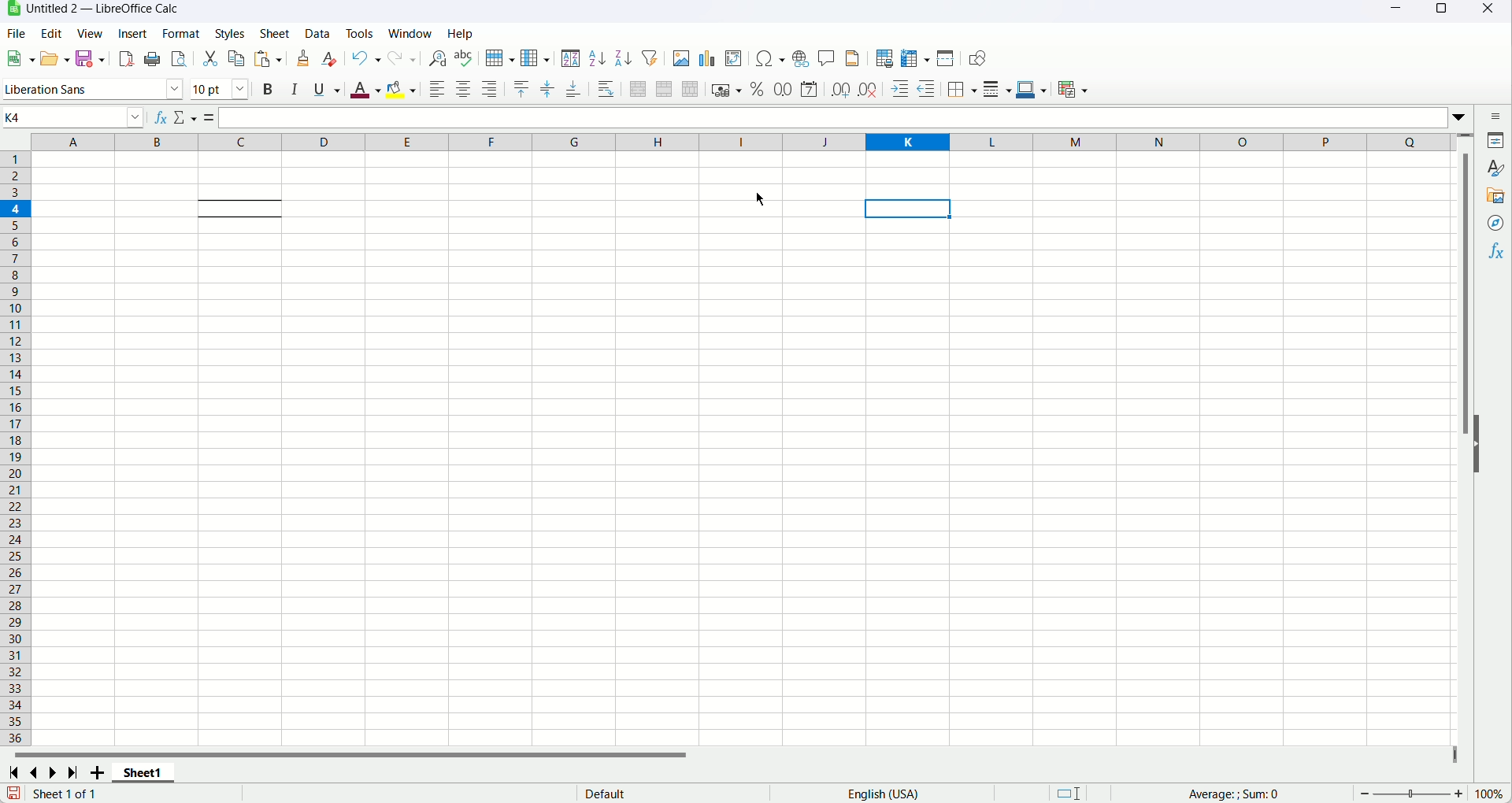 The image size is (1512, 803). What do you see at coordinates (179, 59) in the screenshot?
I see `Print preview` at bounding box center [179, 59].